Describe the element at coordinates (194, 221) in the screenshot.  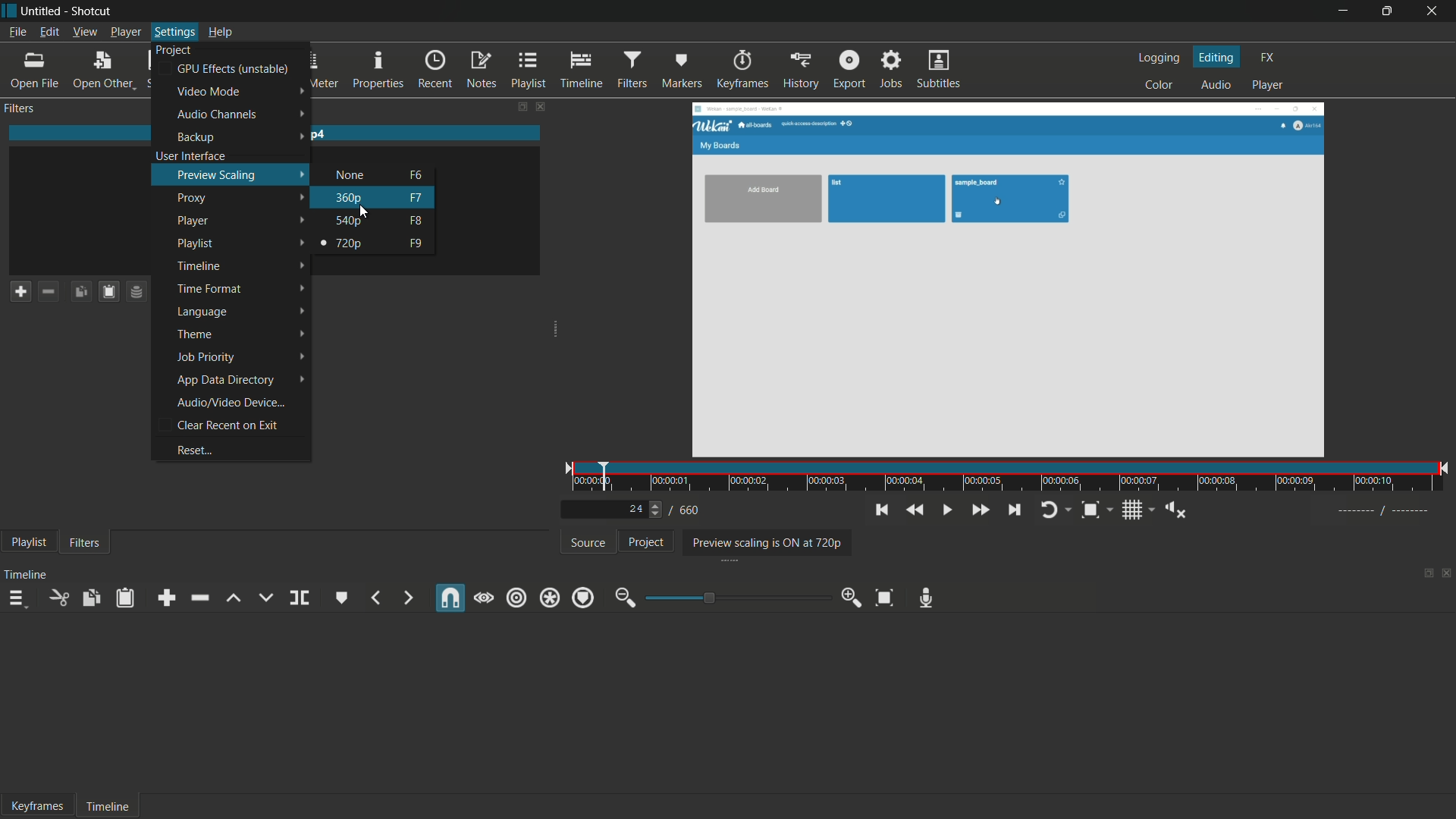
I see `player` at that location.